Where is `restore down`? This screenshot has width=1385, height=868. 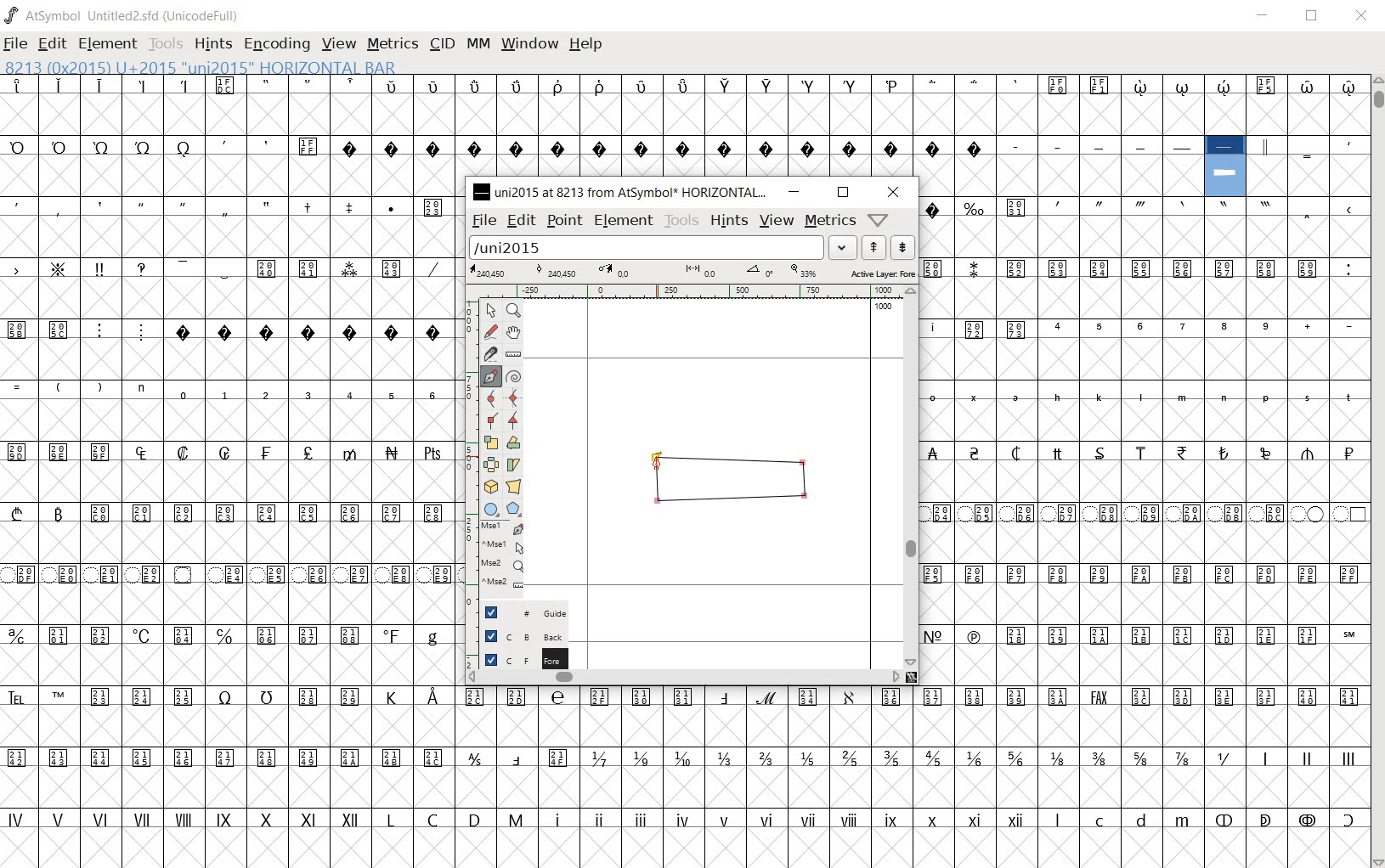
restore down is located at coordinates (842, 193).